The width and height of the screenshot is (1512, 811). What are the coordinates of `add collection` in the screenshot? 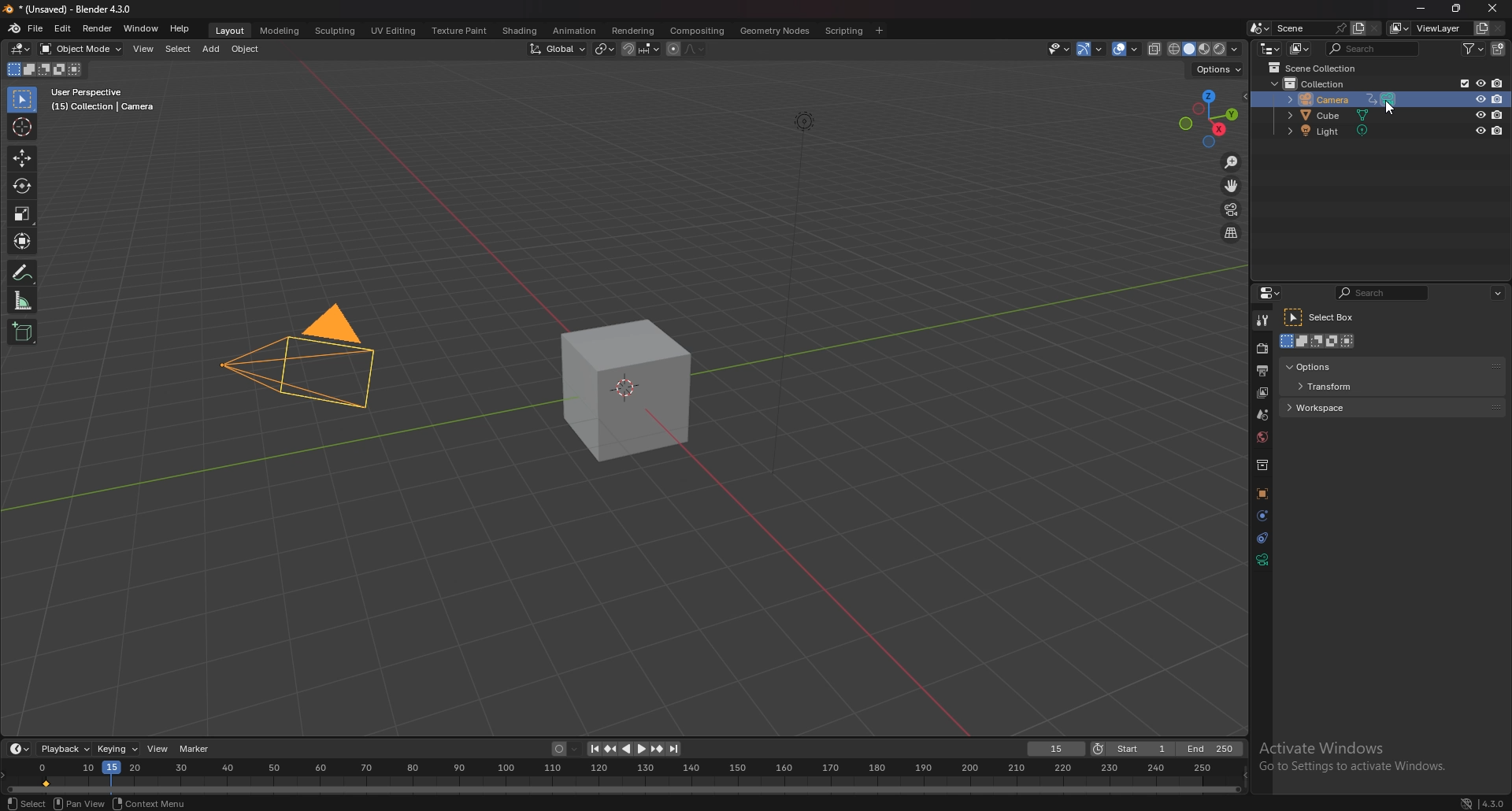 It's located at (1499, 48).